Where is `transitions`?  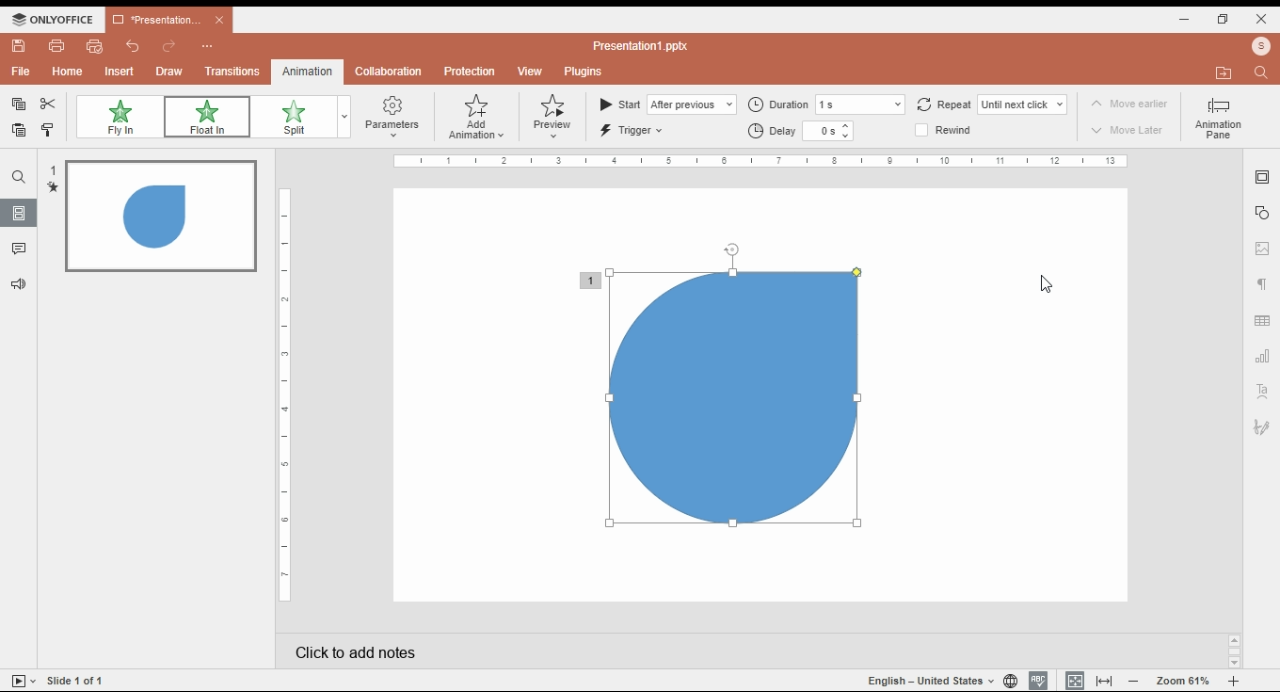 transitions is located at coordinates (233, 71).